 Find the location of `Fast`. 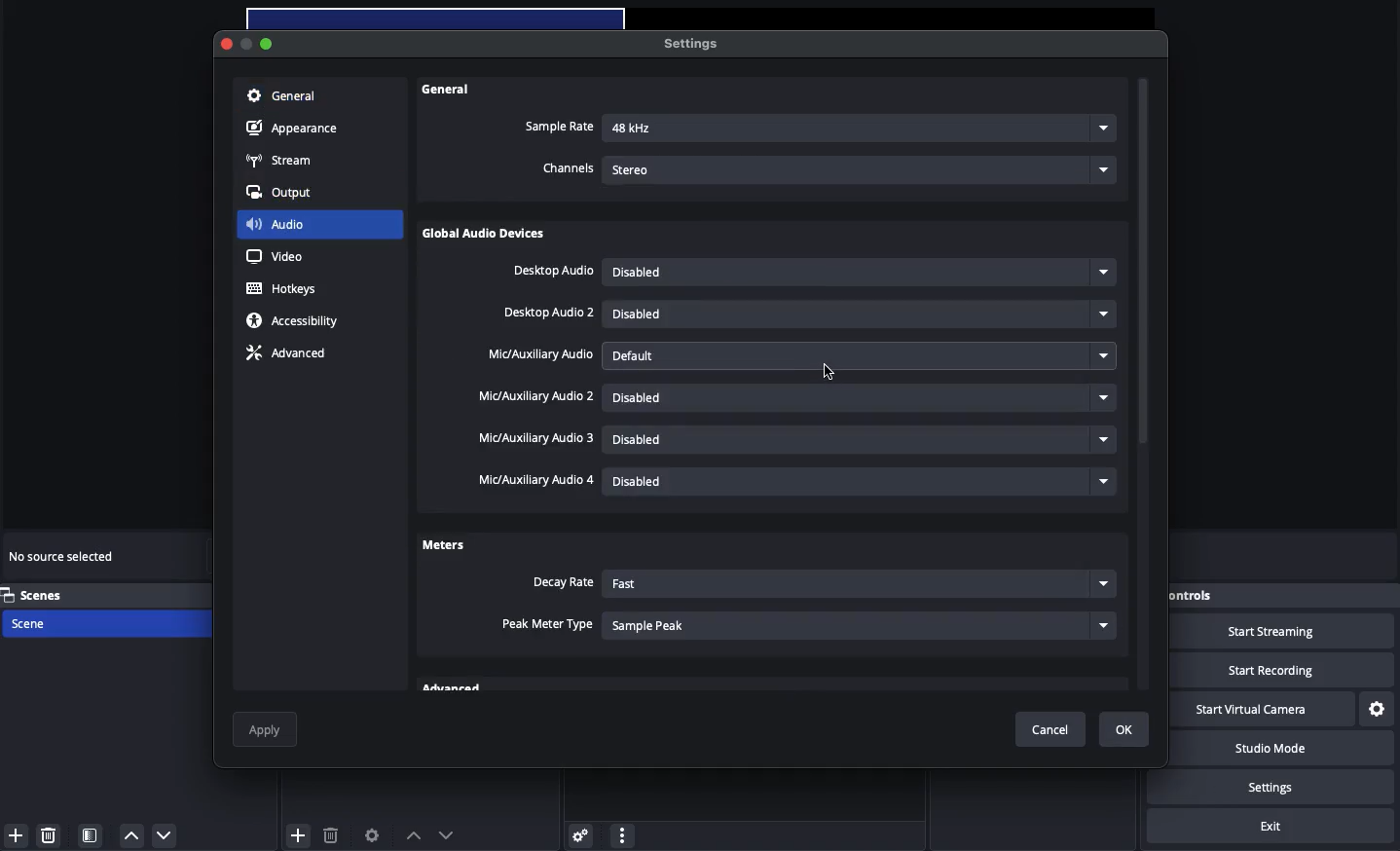

Fast is located at coordinates (857, 585).